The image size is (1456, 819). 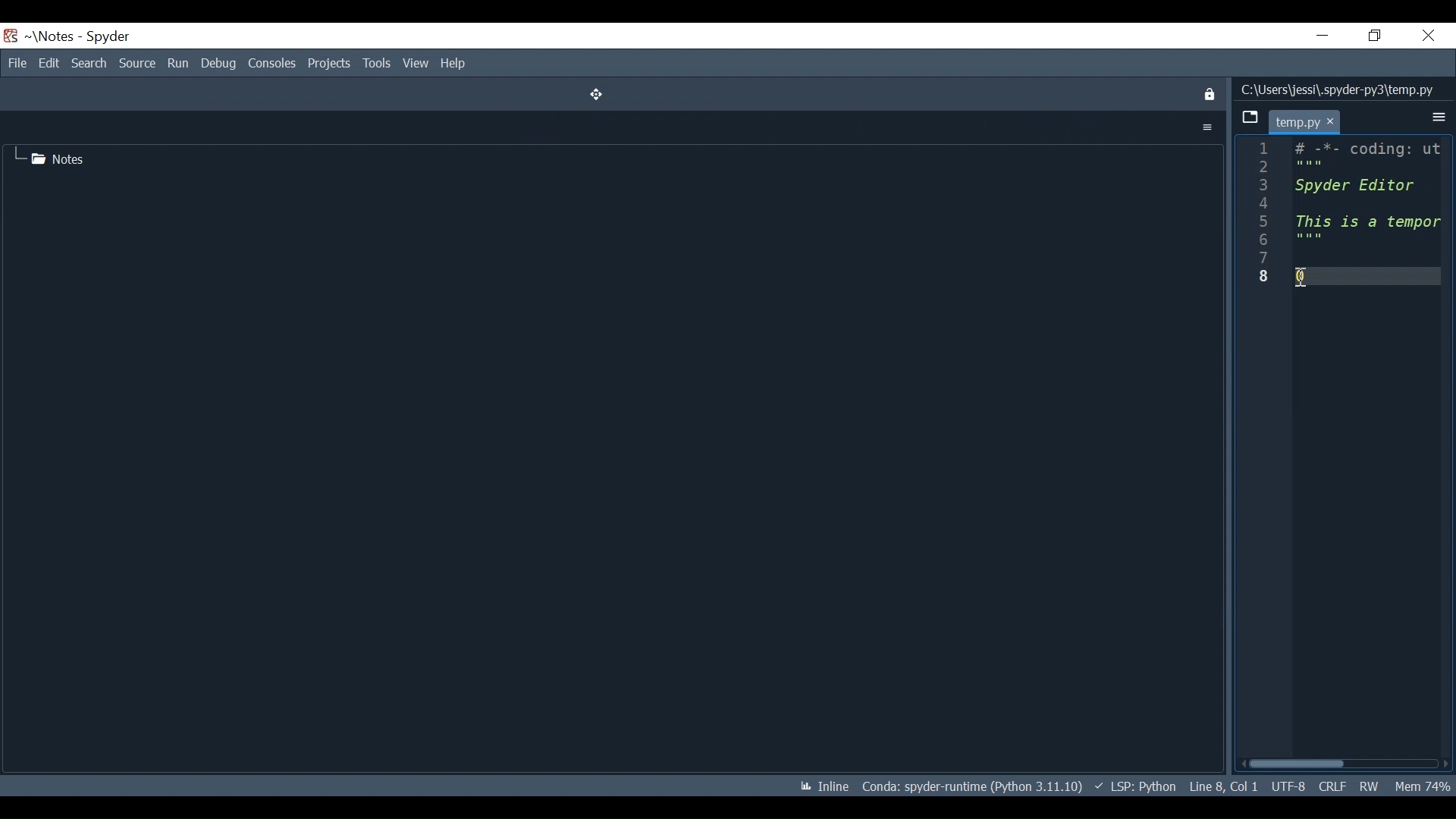 I want to click on More Options, so click(x=1207, y=127).